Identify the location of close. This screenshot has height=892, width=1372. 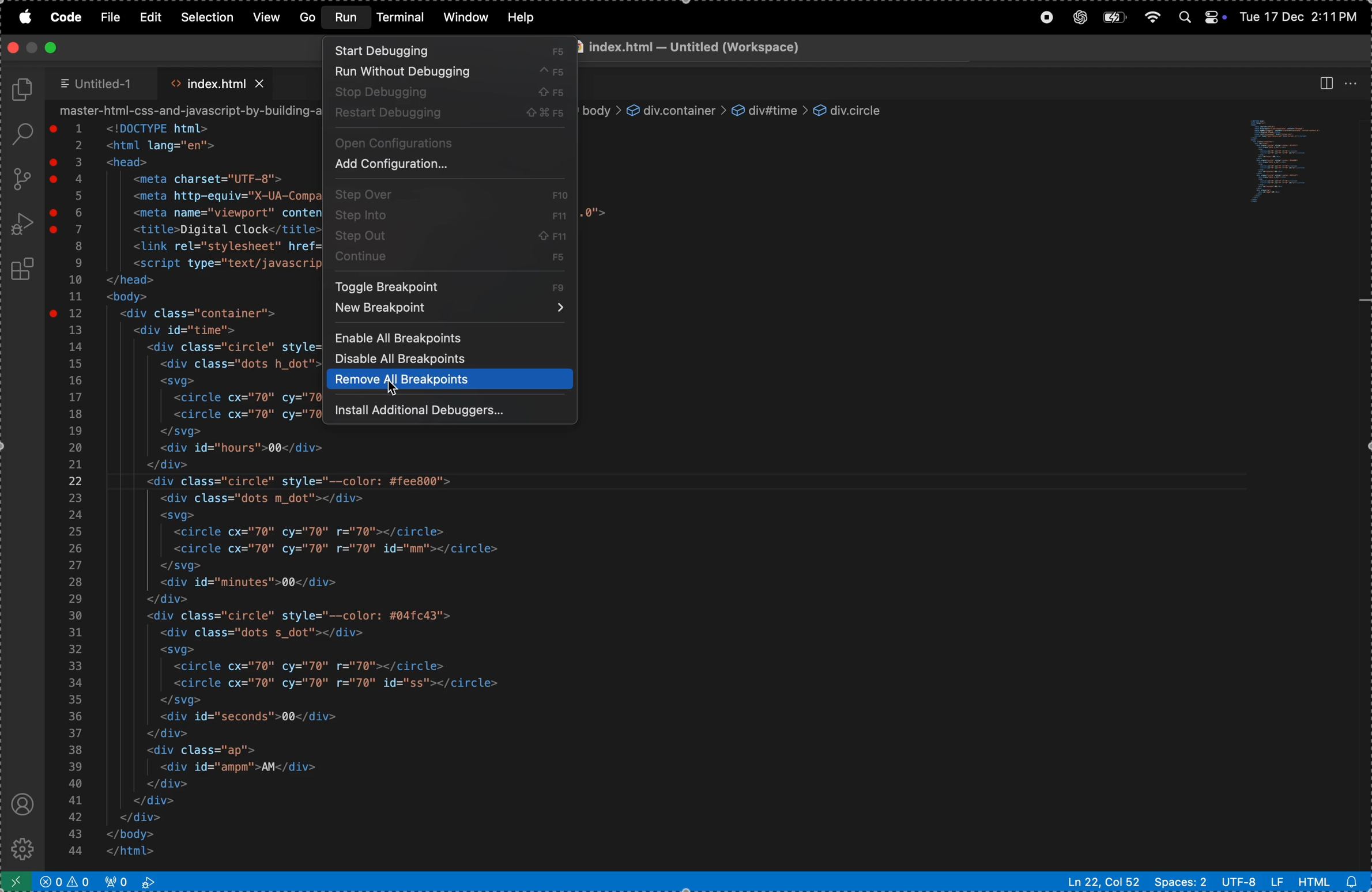
(13, 47).